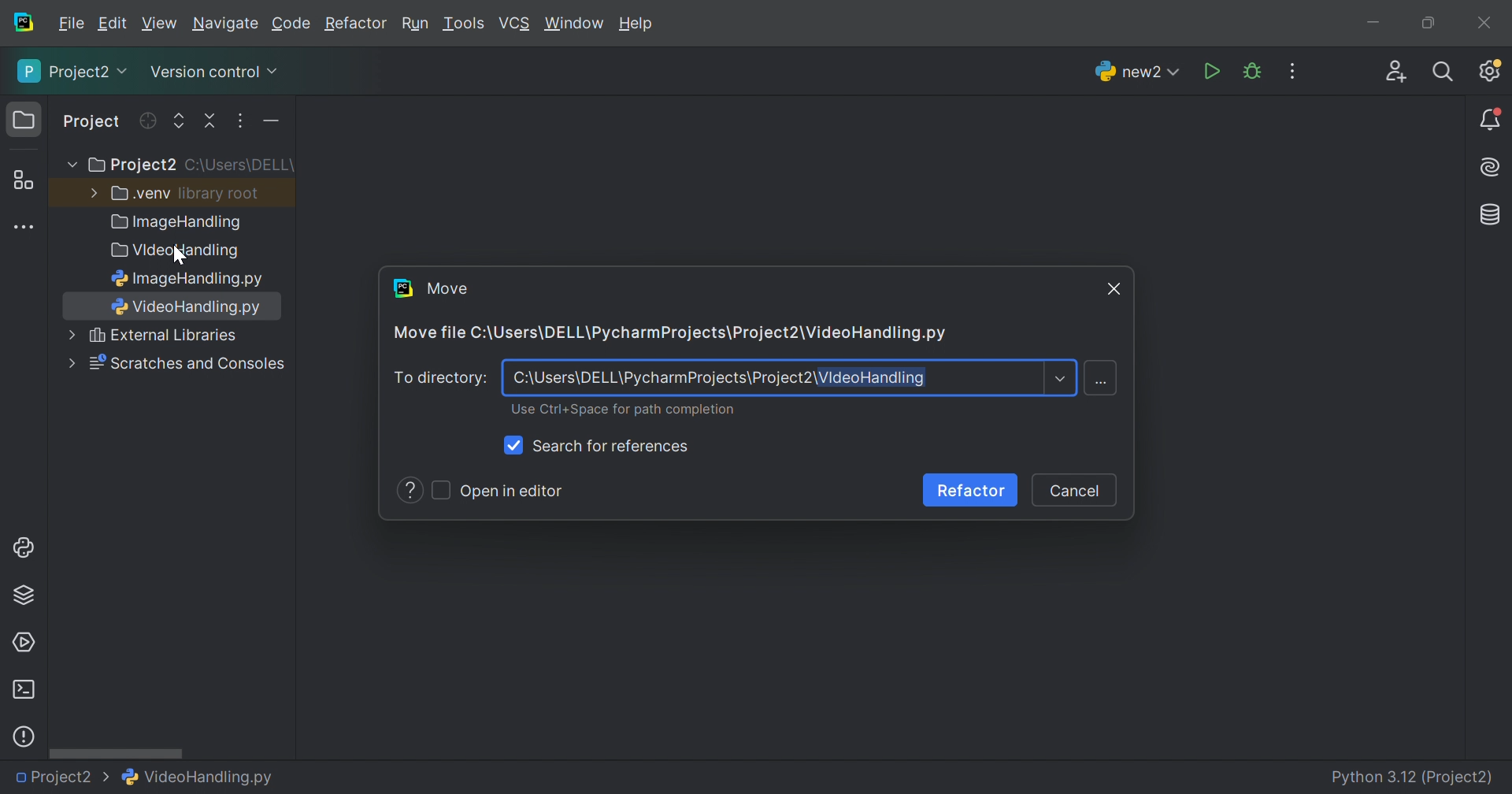 The image size is (1512, 794). I want to click on Minimize, so click(1378, 25).